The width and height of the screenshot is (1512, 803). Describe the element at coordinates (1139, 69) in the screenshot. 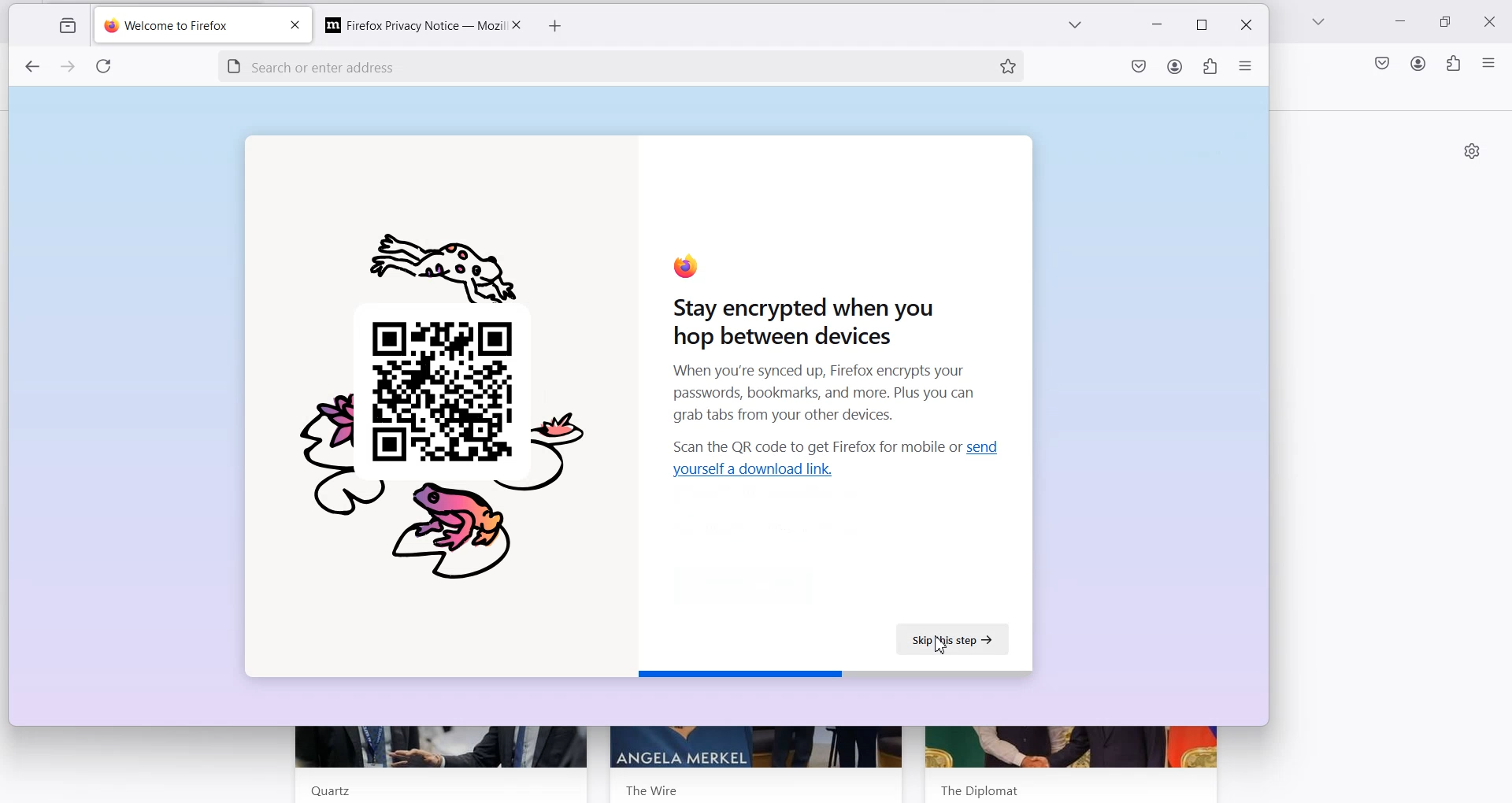

I see `save to pocket` at that location.